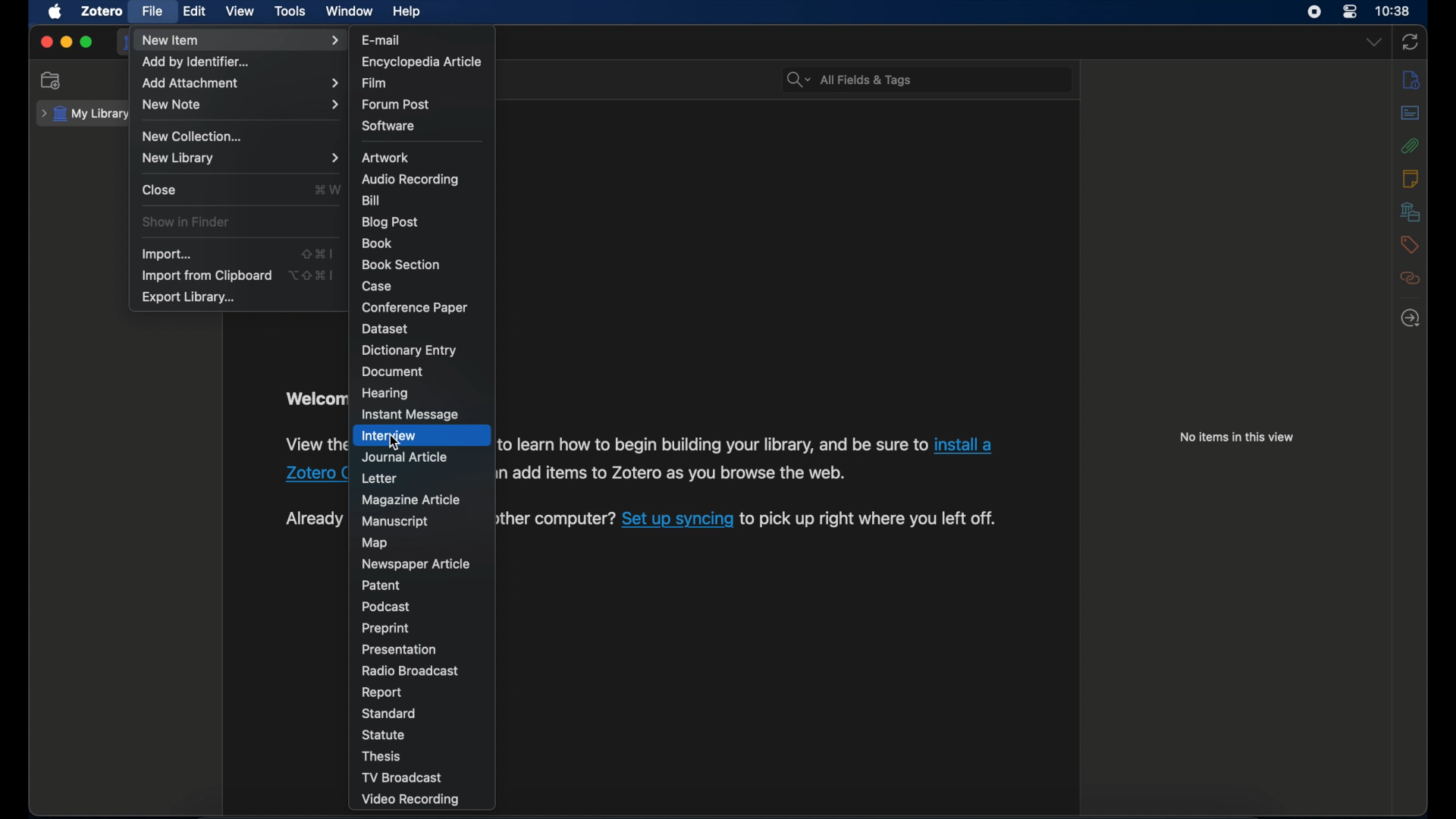  Describe the element at coordinates (187, 221) in the screenshot. I see `show in finder` at that location.